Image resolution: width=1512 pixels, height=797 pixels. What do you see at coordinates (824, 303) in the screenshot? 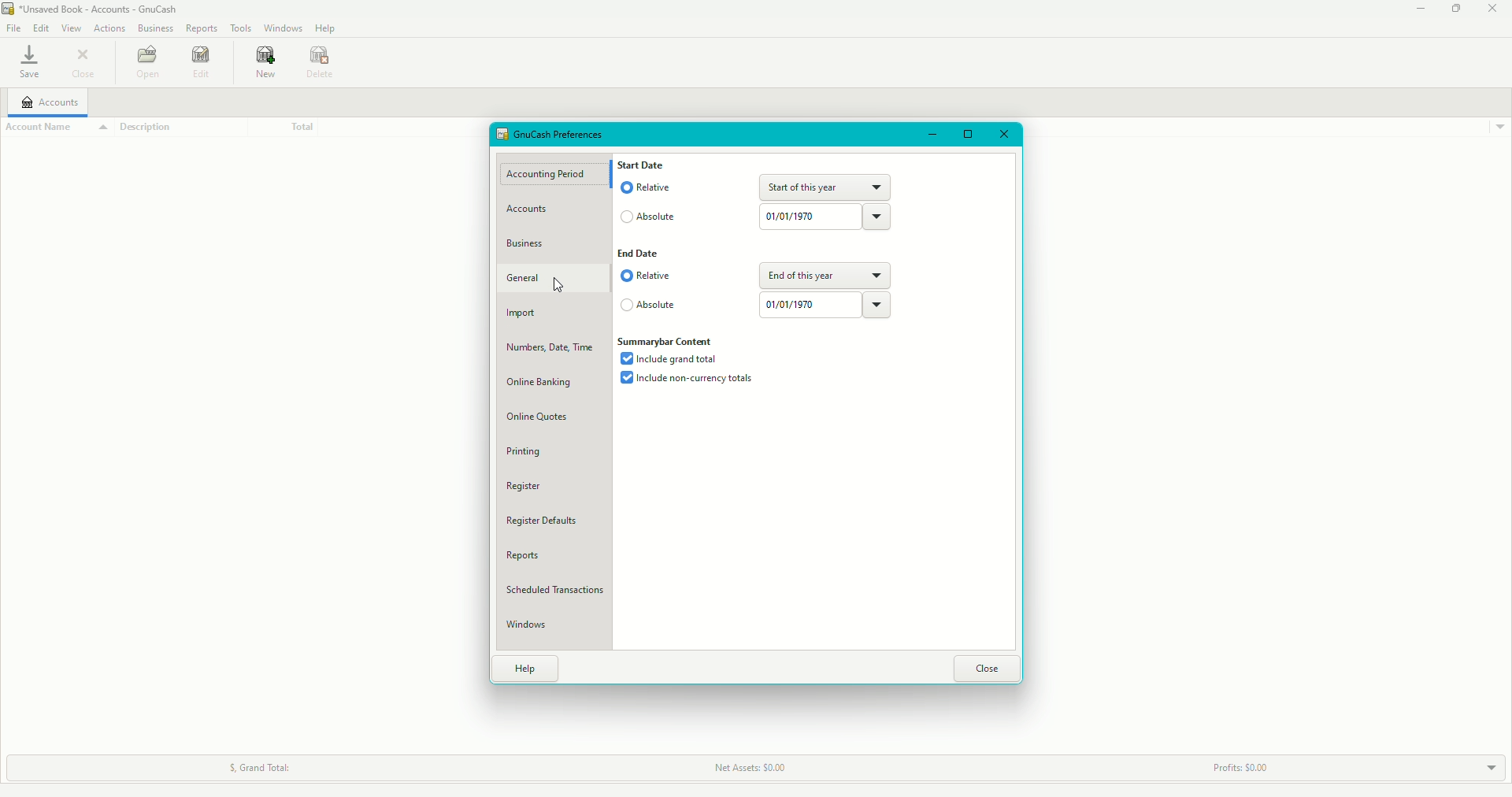
I see `Date` at bounding box center [824, 303].